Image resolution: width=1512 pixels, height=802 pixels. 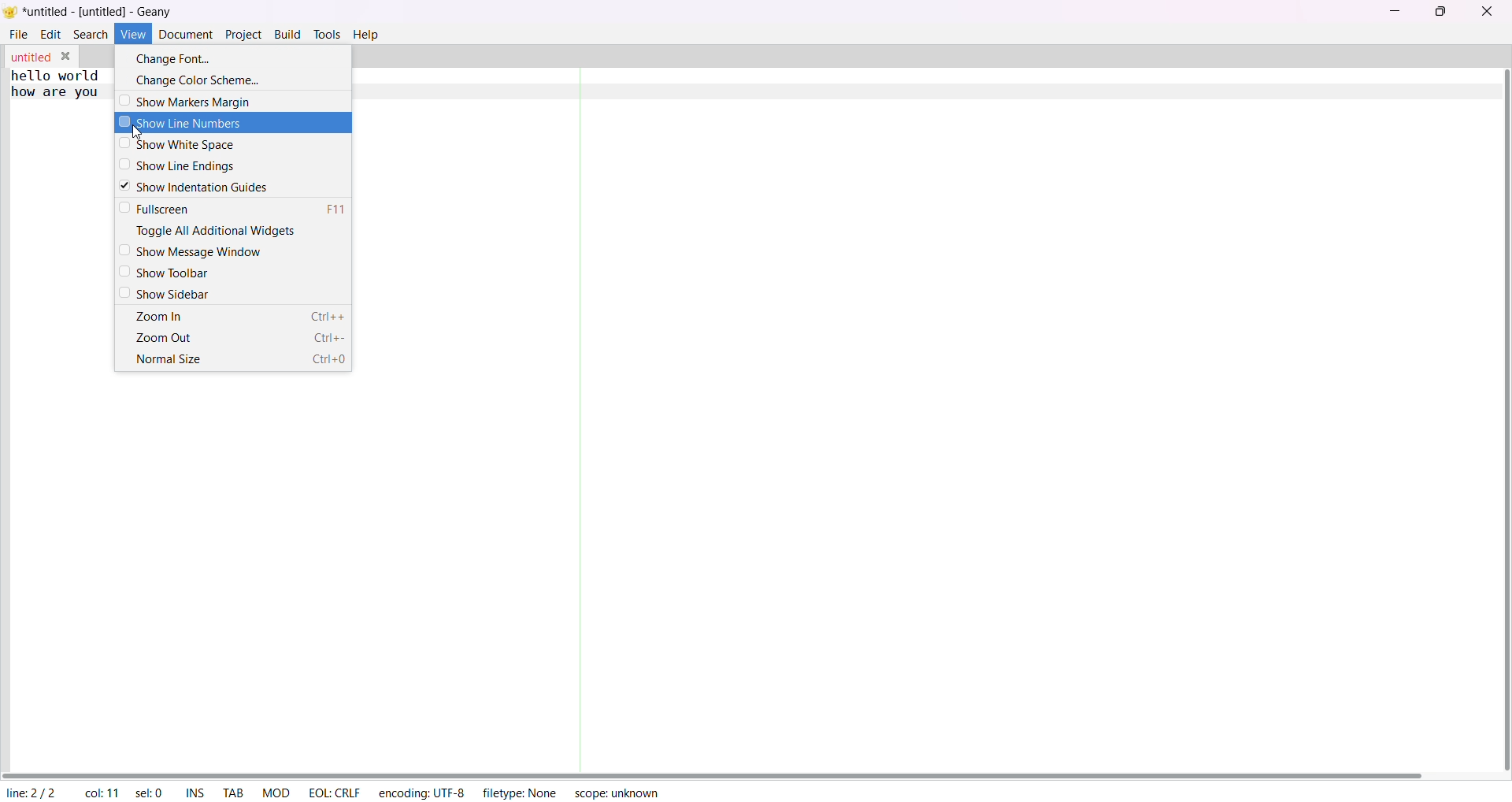 I want to click on EOL CRLF, so click(x=333, y=793).